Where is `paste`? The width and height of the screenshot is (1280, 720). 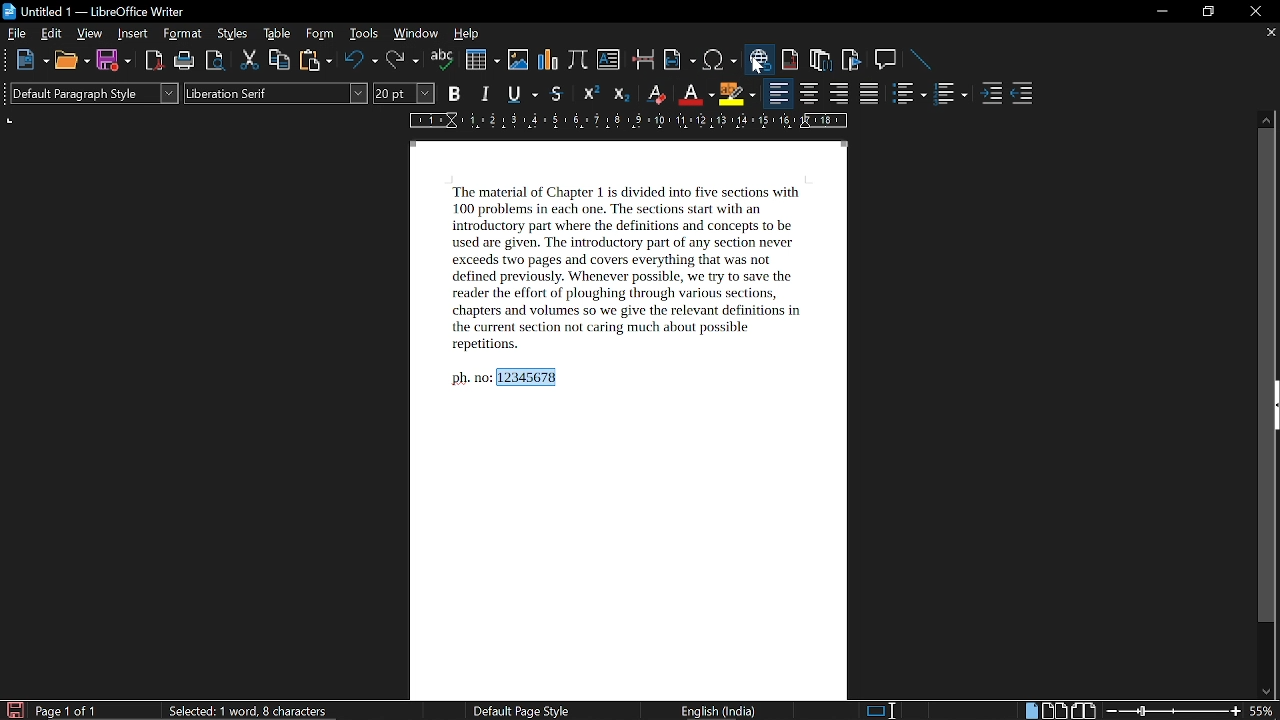
paste is located at coordinates (316, 60).